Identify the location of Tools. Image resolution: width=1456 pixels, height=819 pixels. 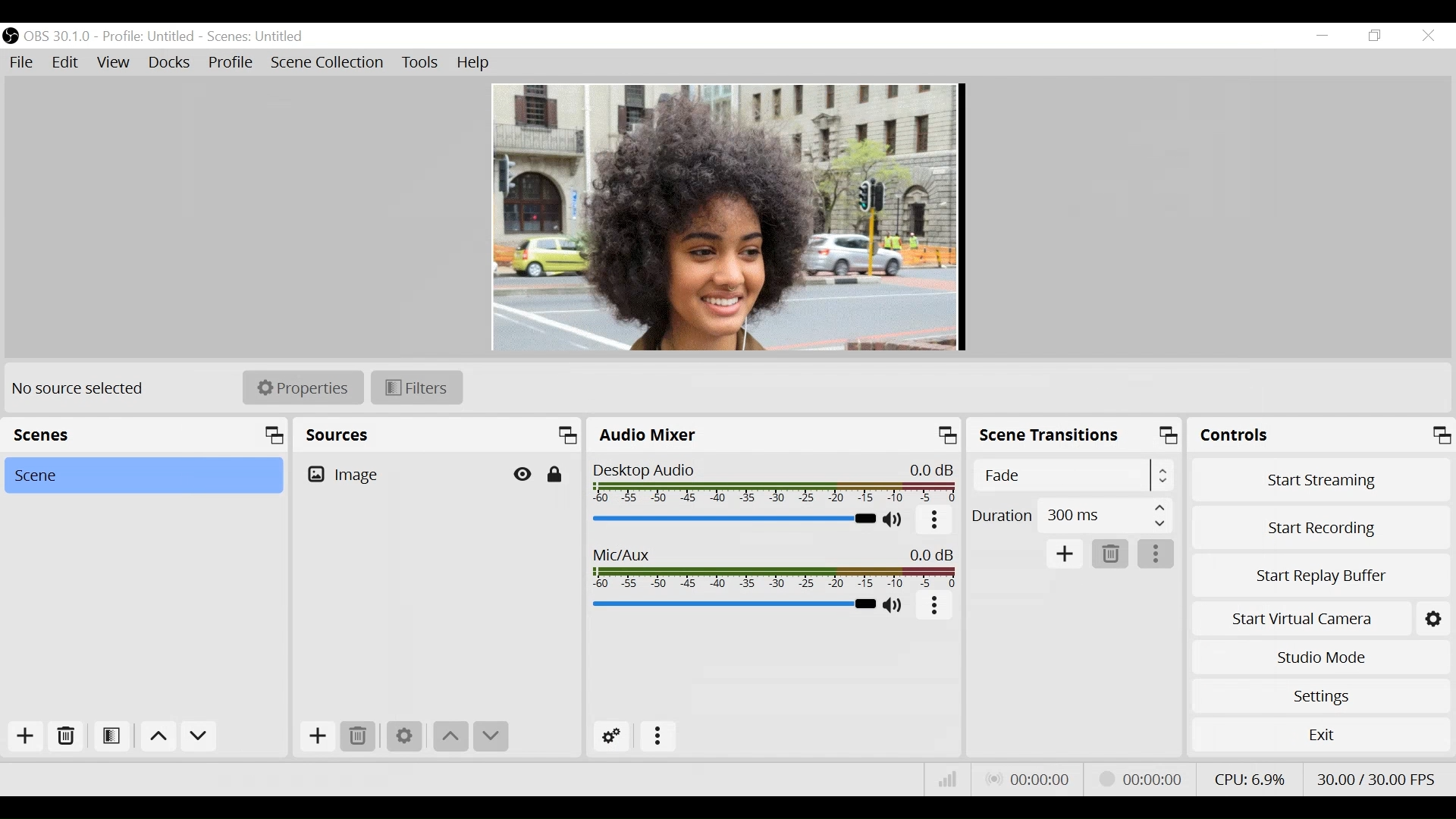
(421, 63).